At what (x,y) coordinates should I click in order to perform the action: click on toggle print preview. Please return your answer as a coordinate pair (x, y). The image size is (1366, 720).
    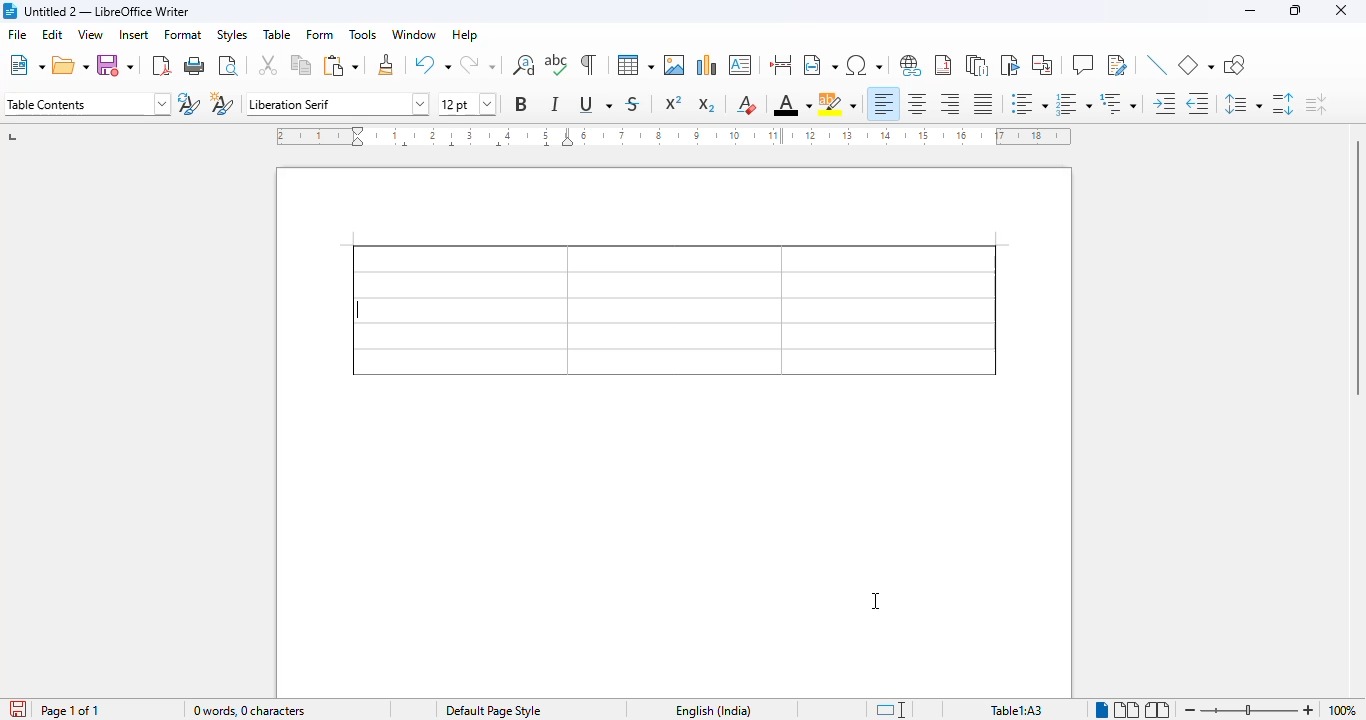
    Looking at the image, I should click on (229, 65).